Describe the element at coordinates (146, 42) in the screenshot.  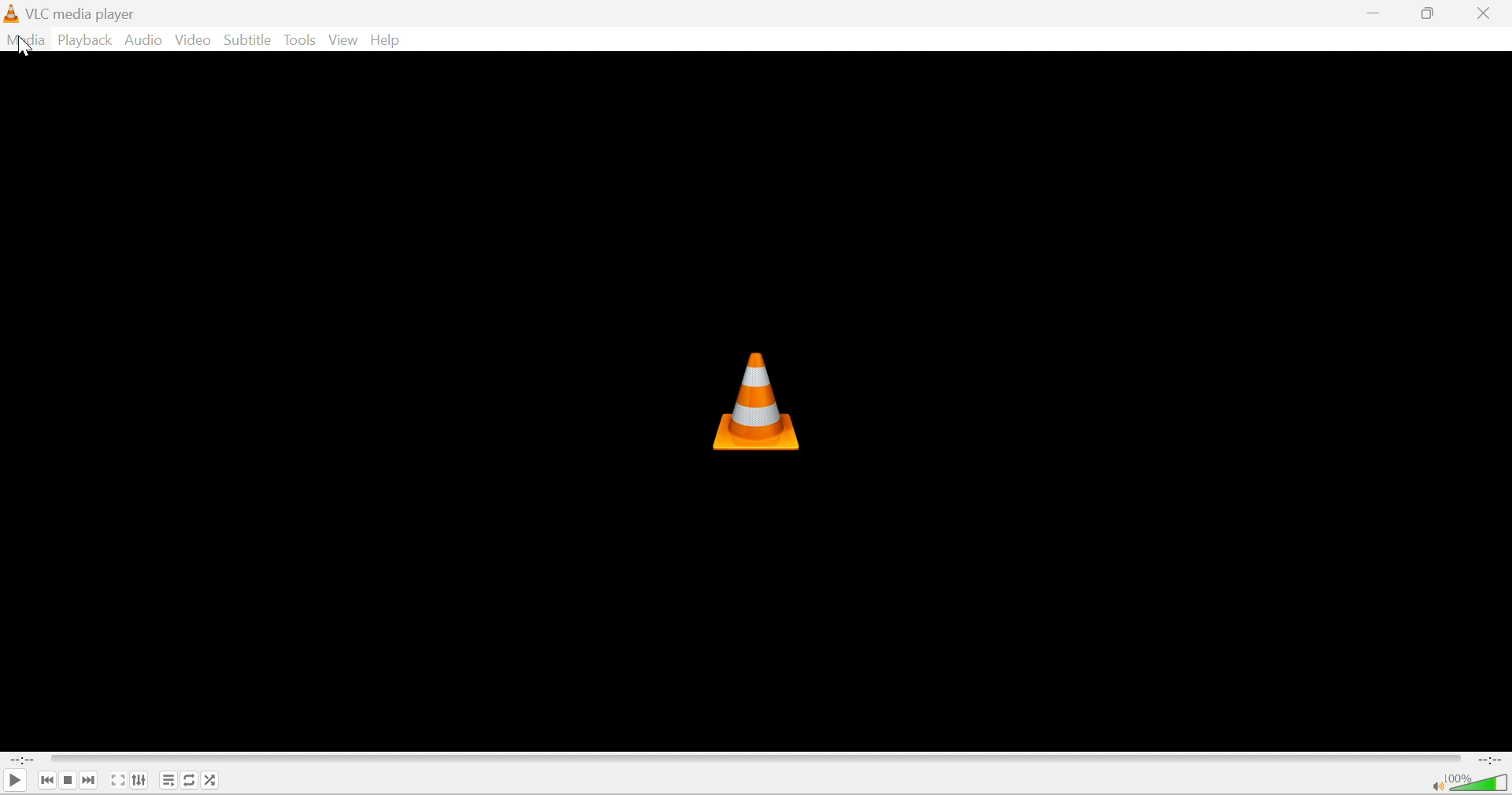
I see `Audio` at that location.